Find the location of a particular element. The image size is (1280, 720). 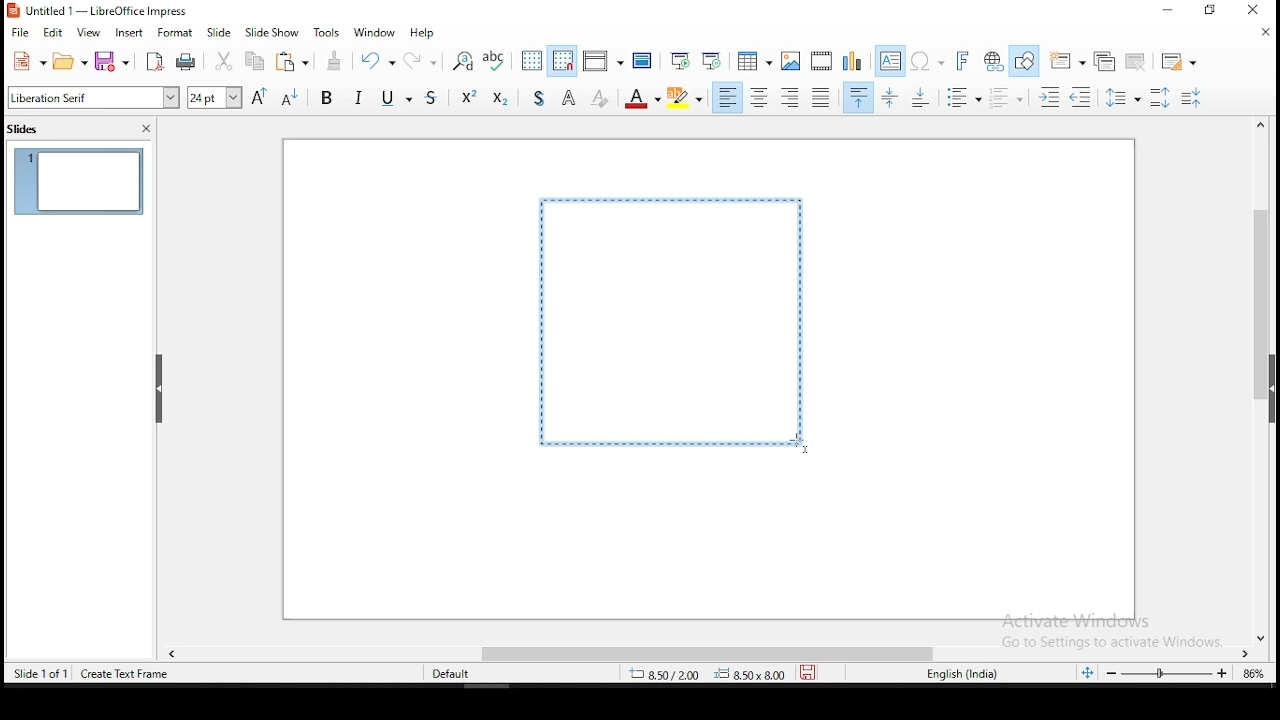

start from current slide is located at coordinates (710, 62).